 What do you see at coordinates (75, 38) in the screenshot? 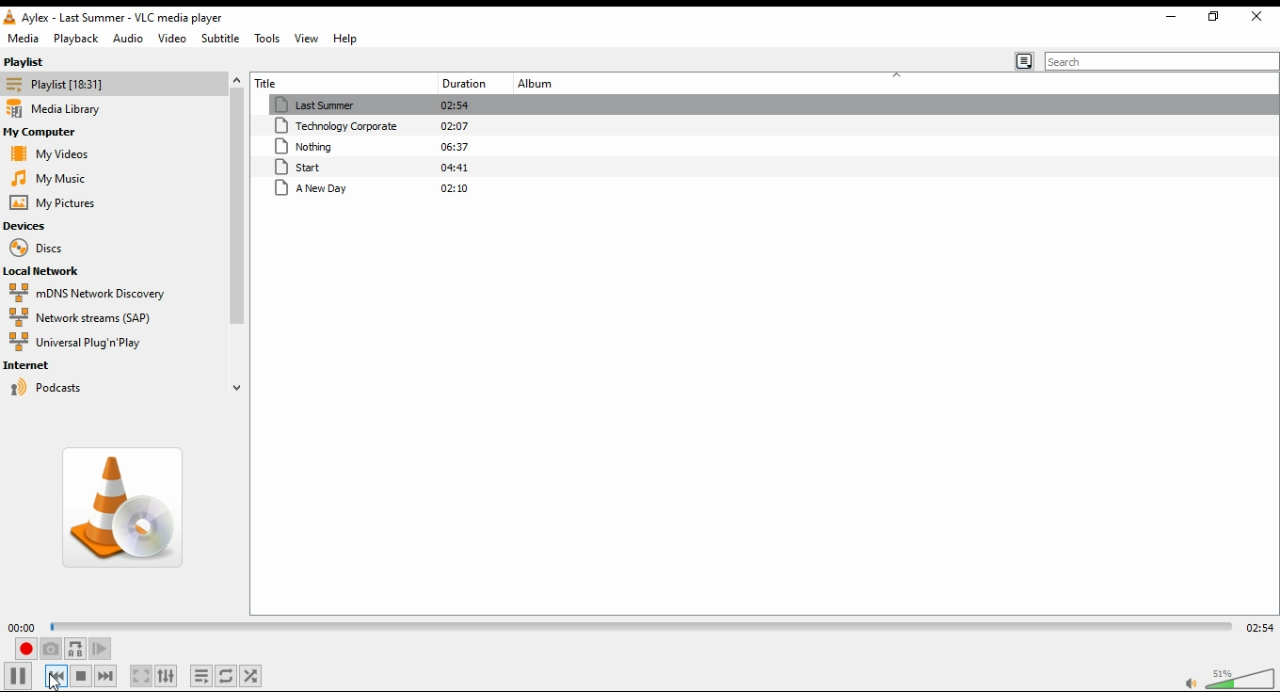
I see `playlist` at bounding box center [75, 38].